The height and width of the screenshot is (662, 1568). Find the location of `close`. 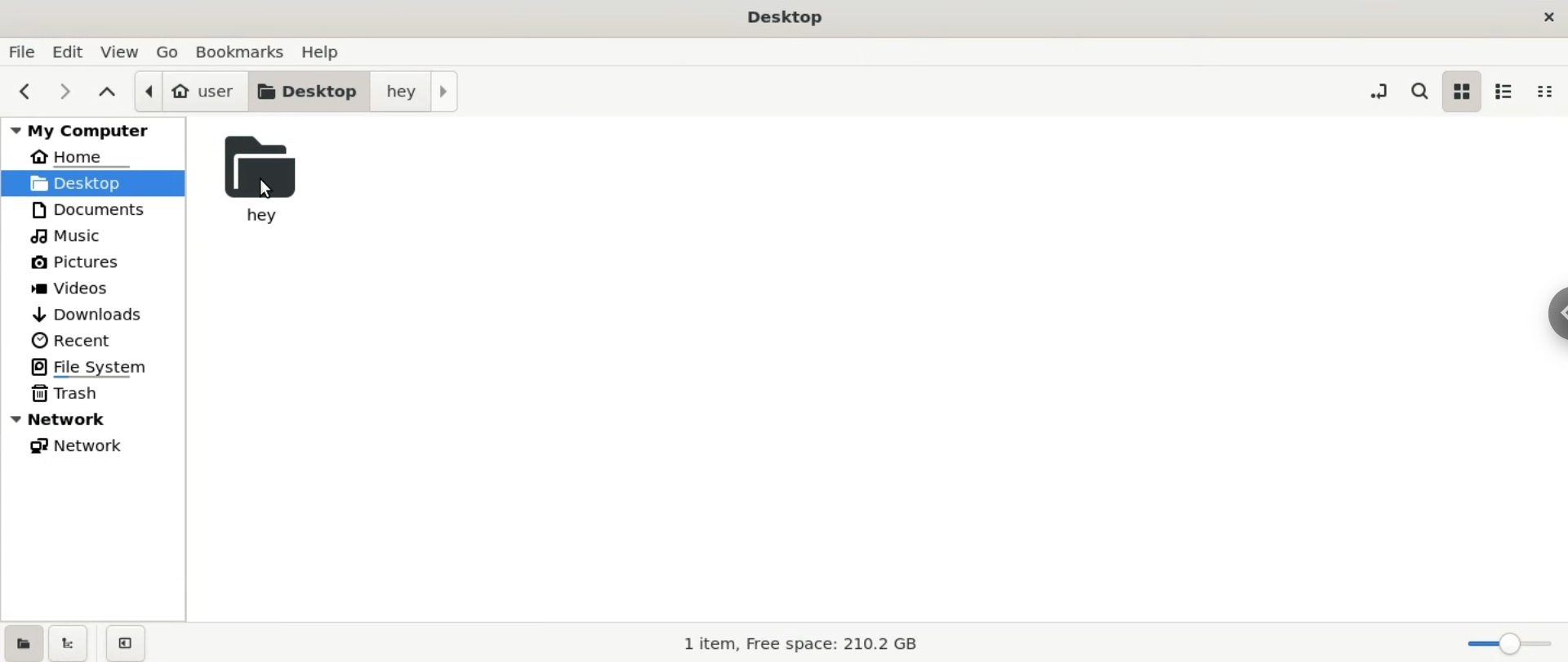

close is located at coordinates (1540, 19).